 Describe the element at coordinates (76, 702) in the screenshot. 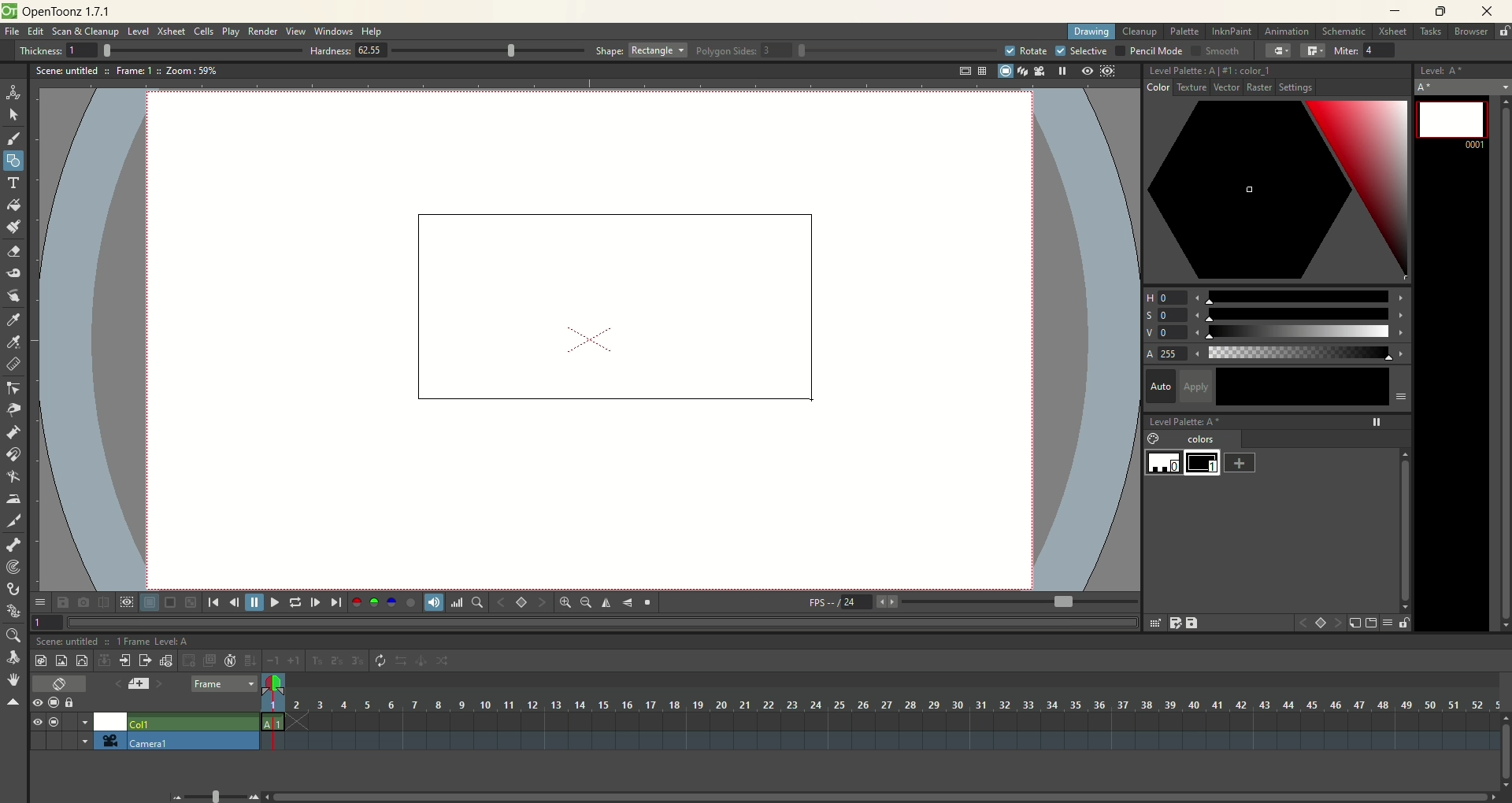

I see `lock toggle` at that location.